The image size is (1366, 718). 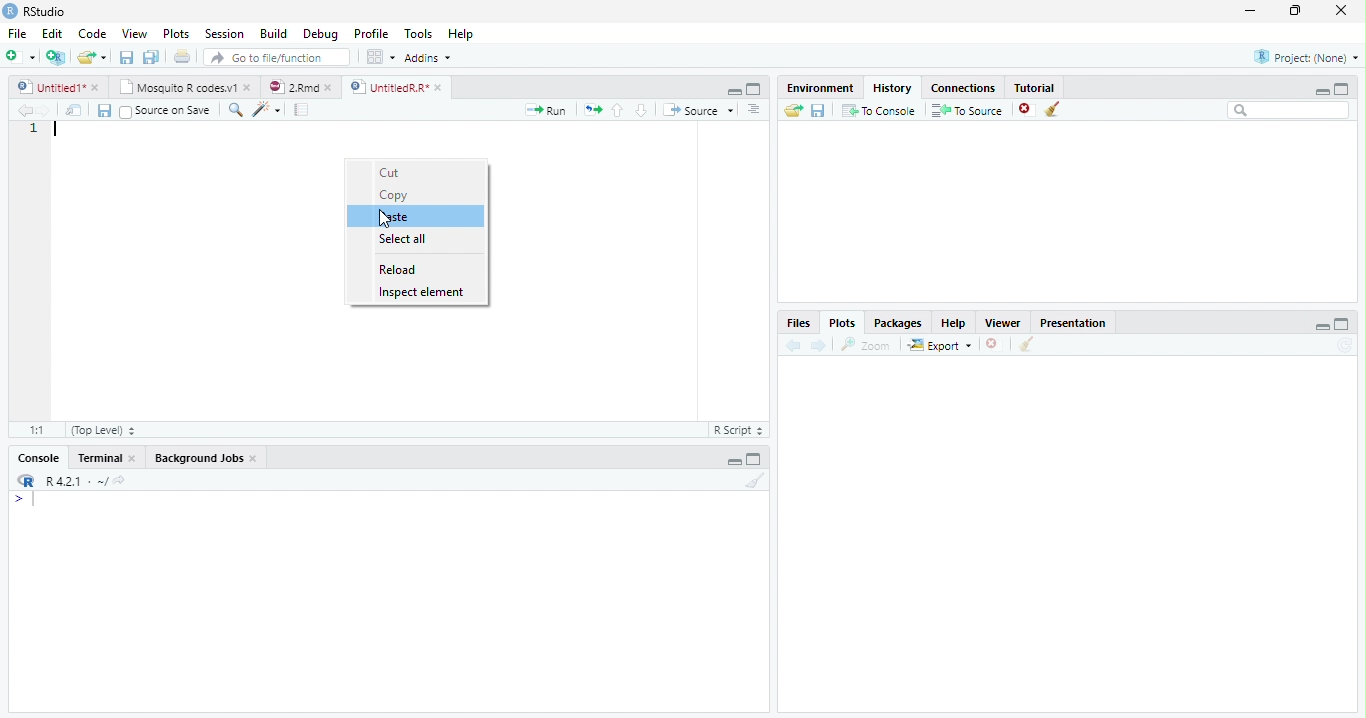 What do you see at coordinates (392, 173) in the screenshot?
I see `Cut` at bounding box center [392, 173].